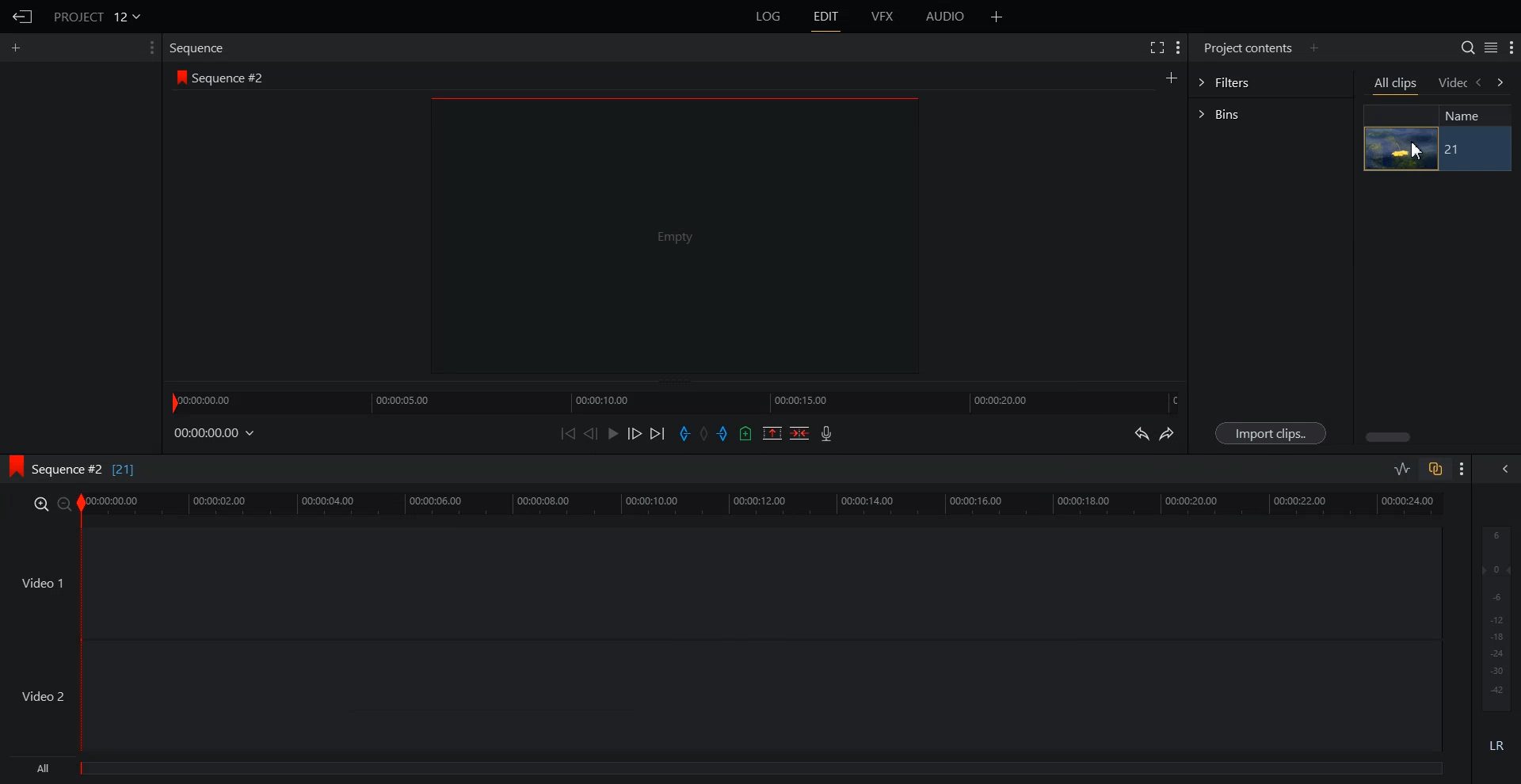 The height and width of the screenshot is (784, 1521). I want to click on Show Setting Menu, so click(1462, 470).